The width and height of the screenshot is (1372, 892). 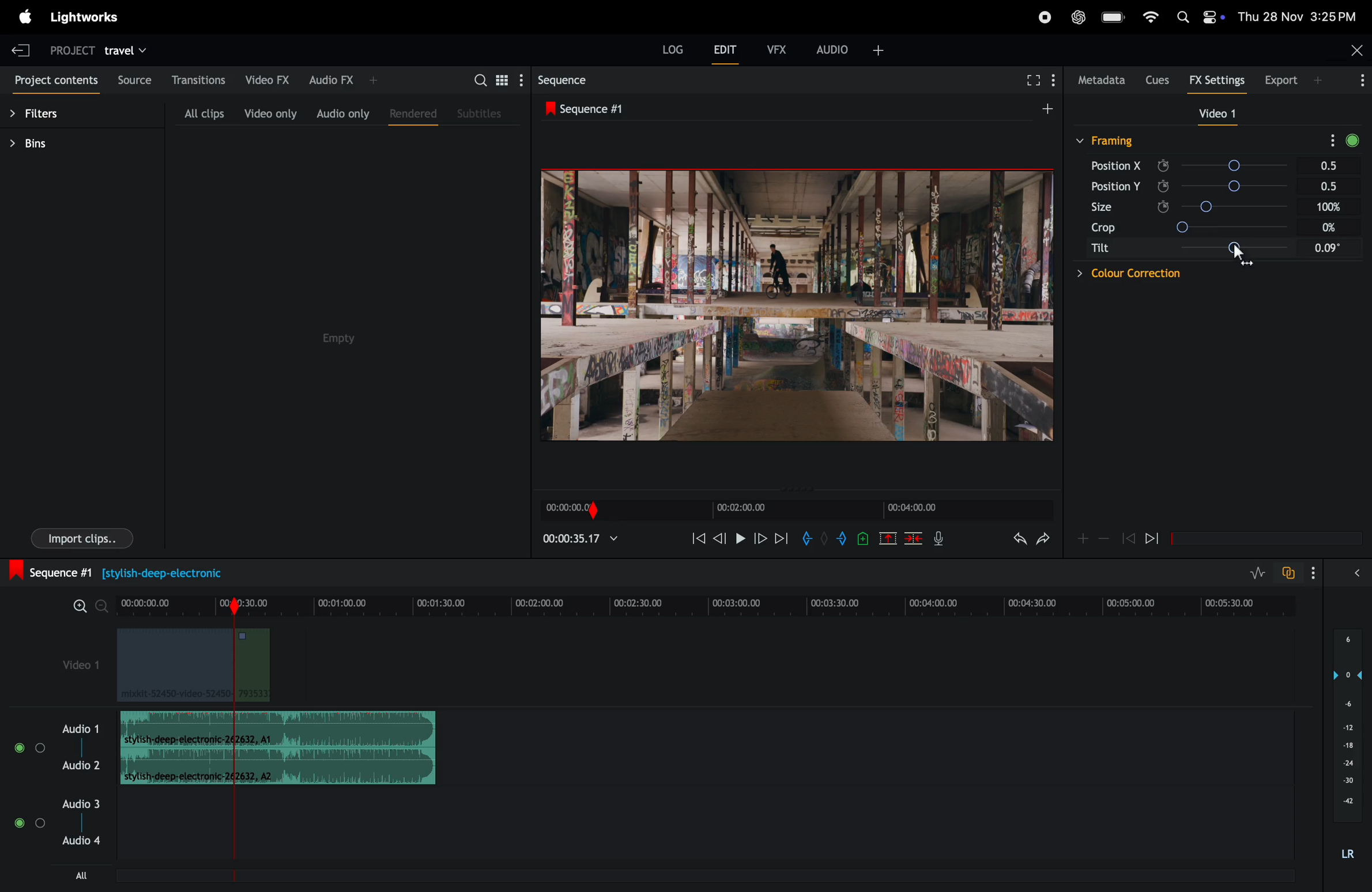 I want to click on vfx, so click(x=777, y=48).